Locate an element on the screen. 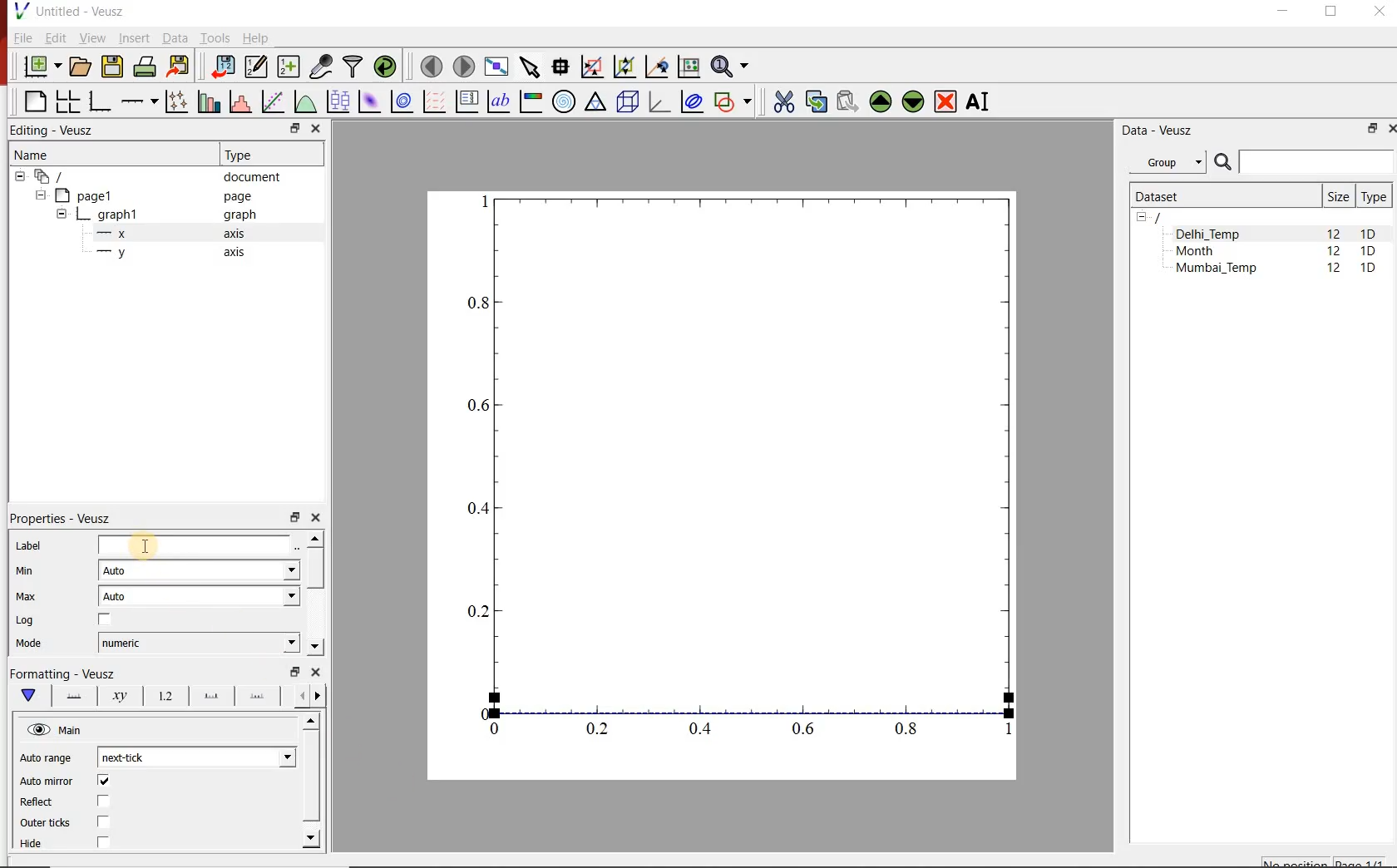 The height and width of the screenshot is (868, 1397). cursor is located at coordinates (147, 544).